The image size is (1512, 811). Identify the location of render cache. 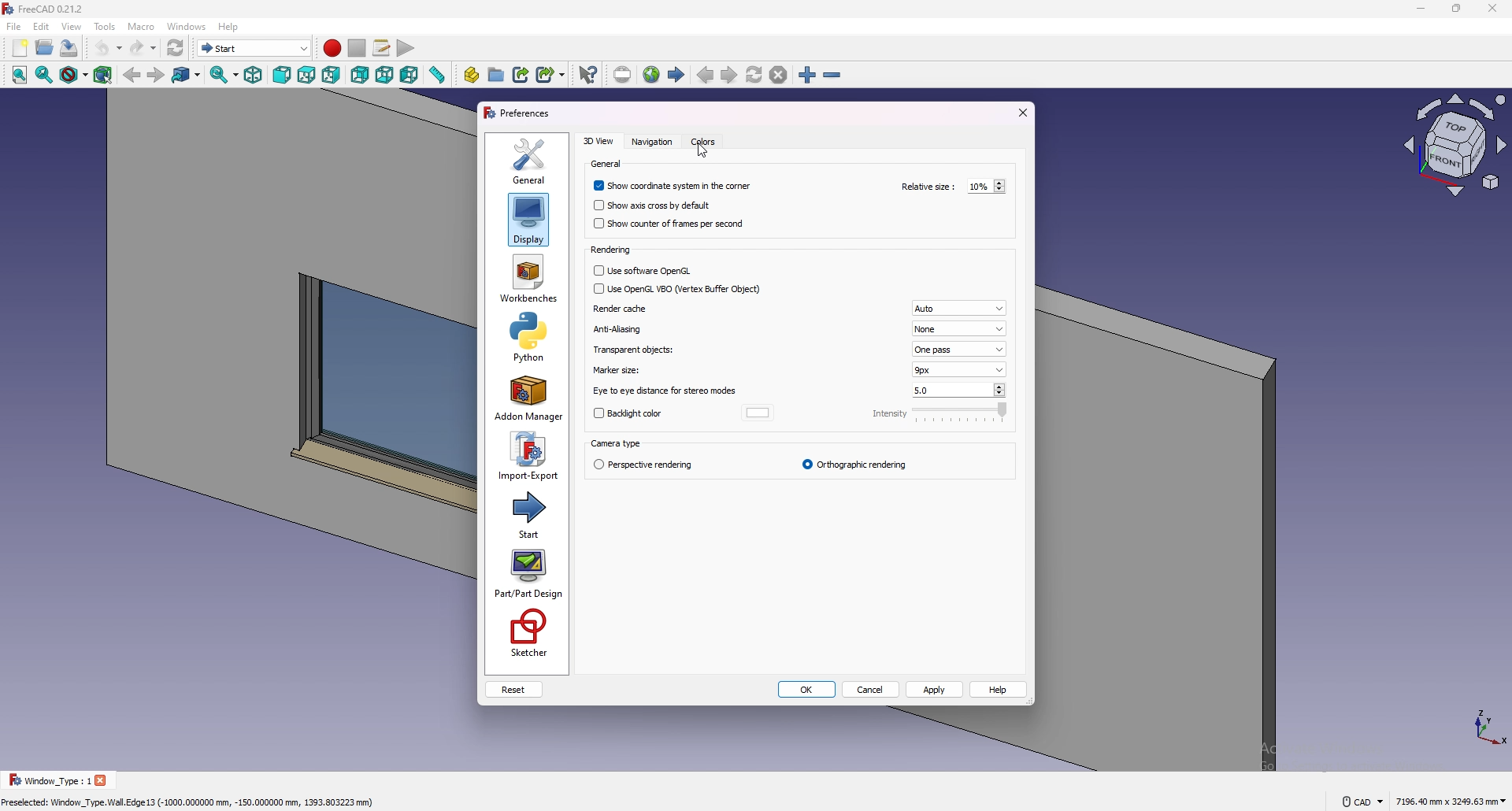
(623, 309).